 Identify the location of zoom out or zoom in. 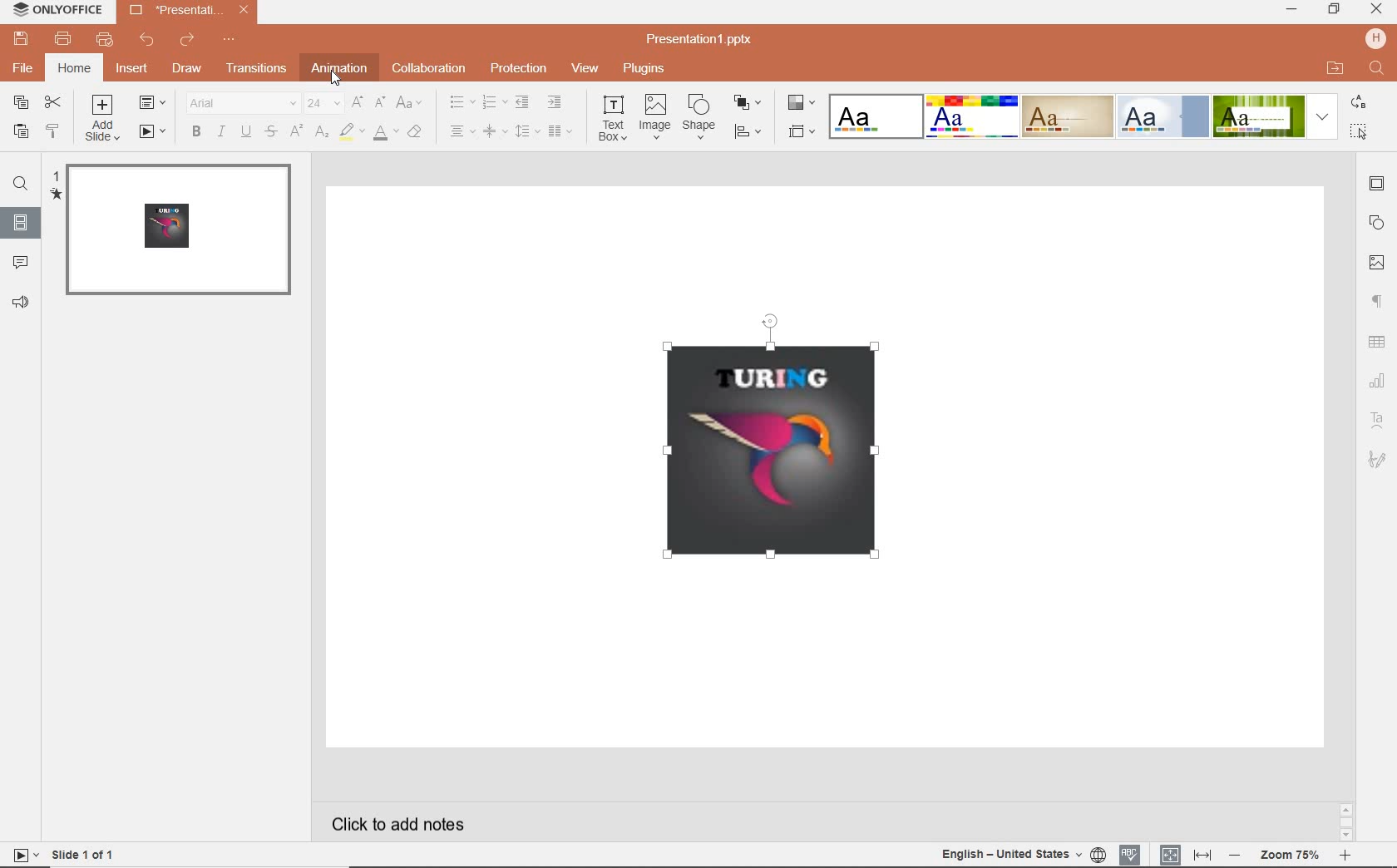
(1291, 856).